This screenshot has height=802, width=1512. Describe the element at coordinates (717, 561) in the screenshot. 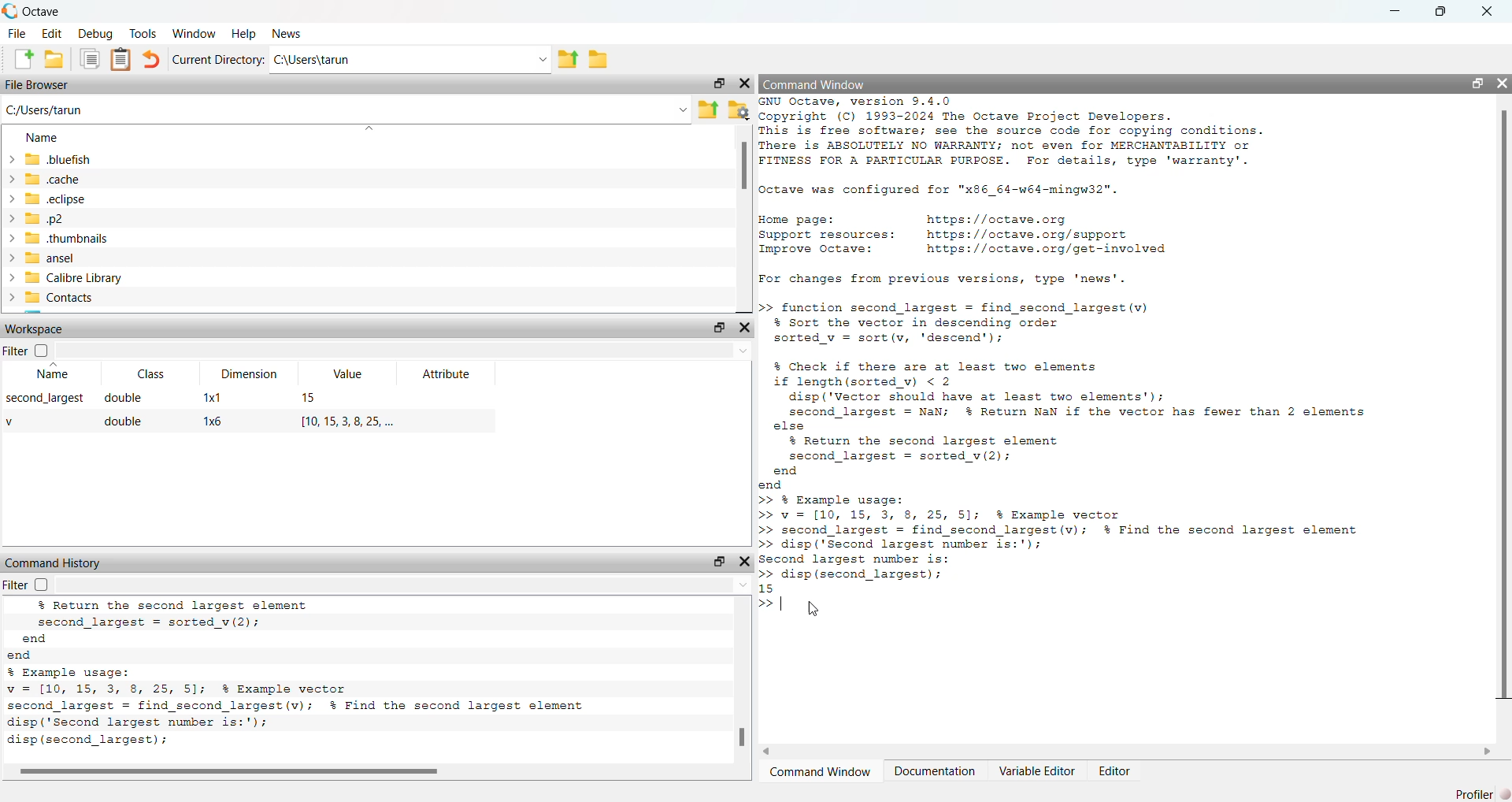

I see `unlock widget` at that location.